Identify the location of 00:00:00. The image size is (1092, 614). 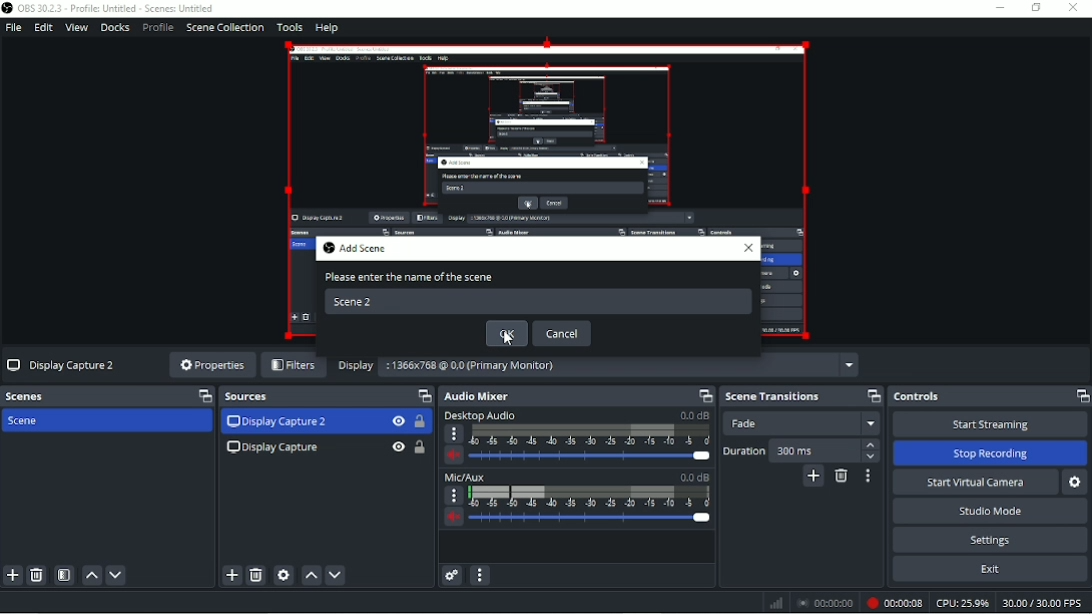
(824, 604).